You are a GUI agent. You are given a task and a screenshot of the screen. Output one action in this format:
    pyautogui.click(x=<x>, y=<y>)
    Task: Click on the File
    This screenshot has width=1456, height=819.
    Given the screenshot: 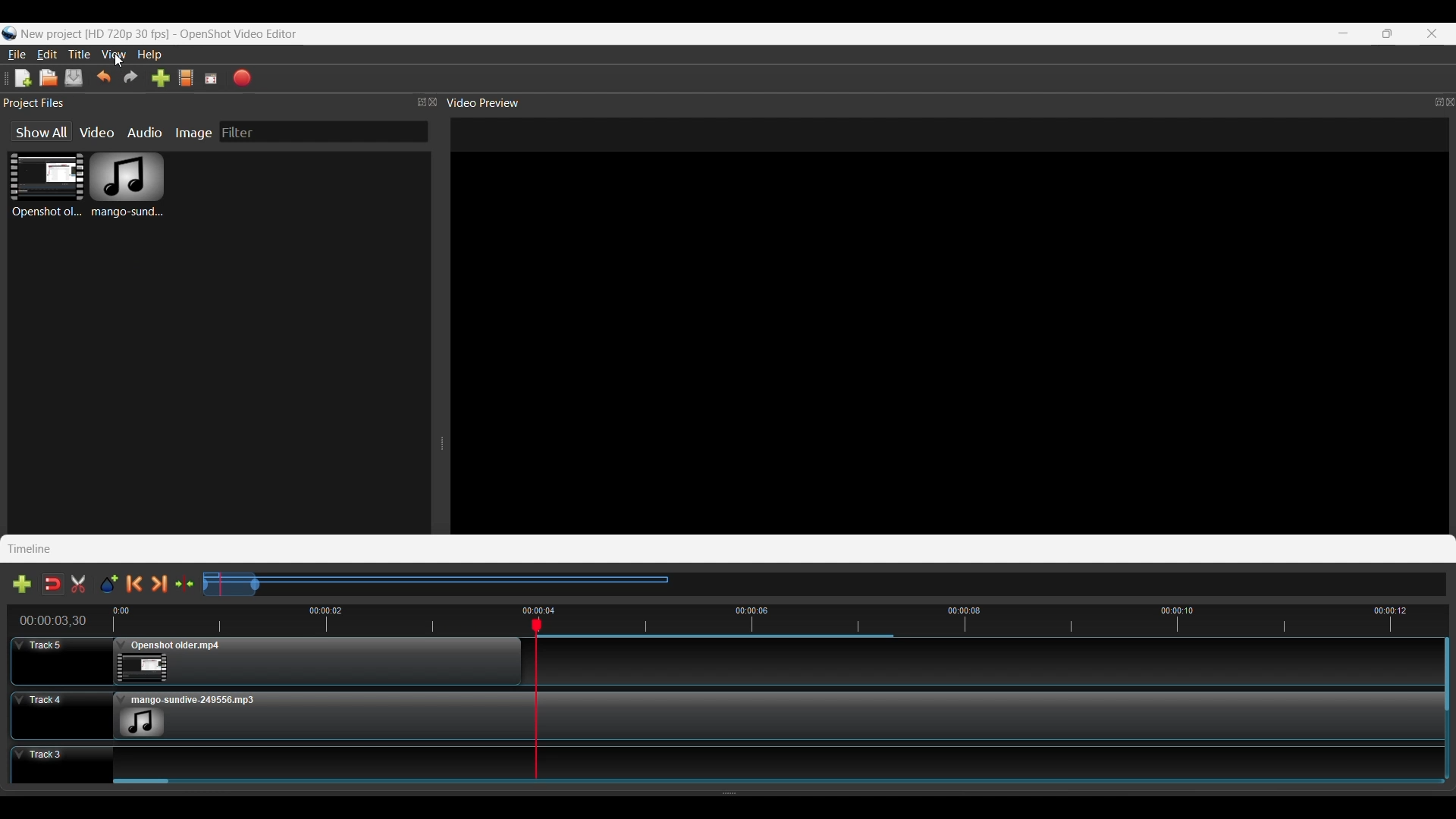 What is the action you would take?
    pyautogui.click(x=17, y=55)
    